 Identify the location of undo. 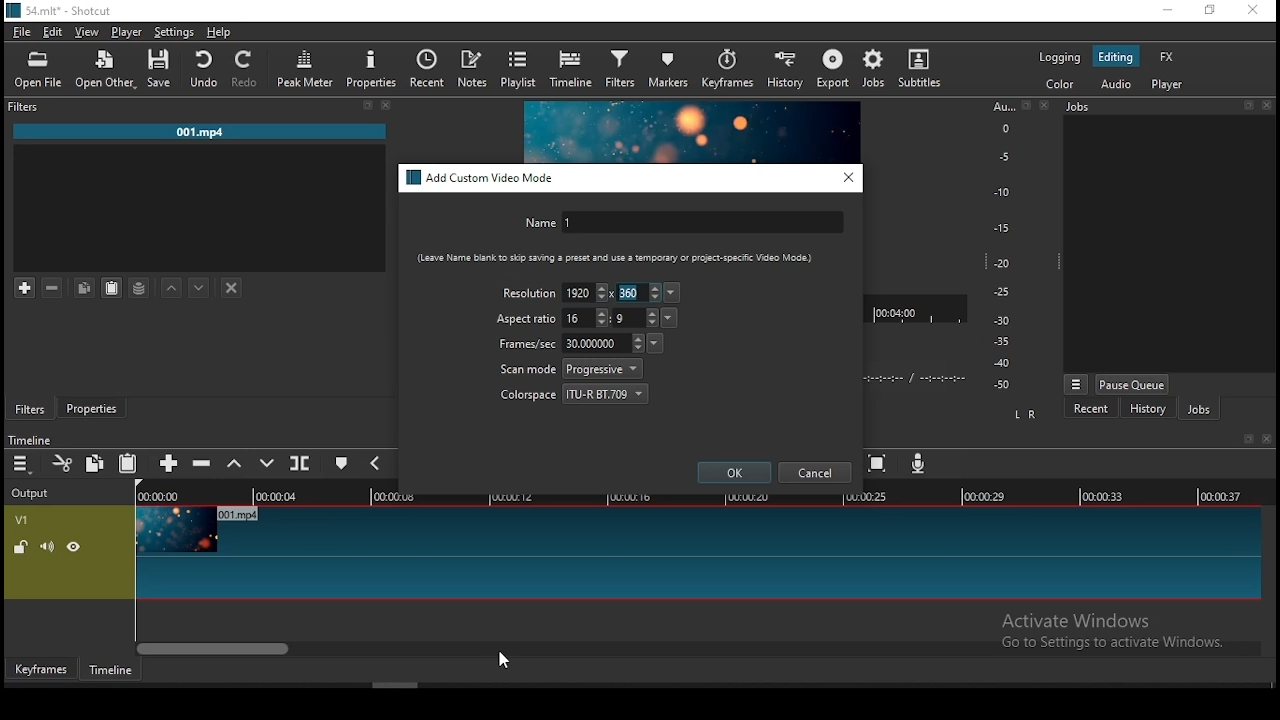
(205, 69).